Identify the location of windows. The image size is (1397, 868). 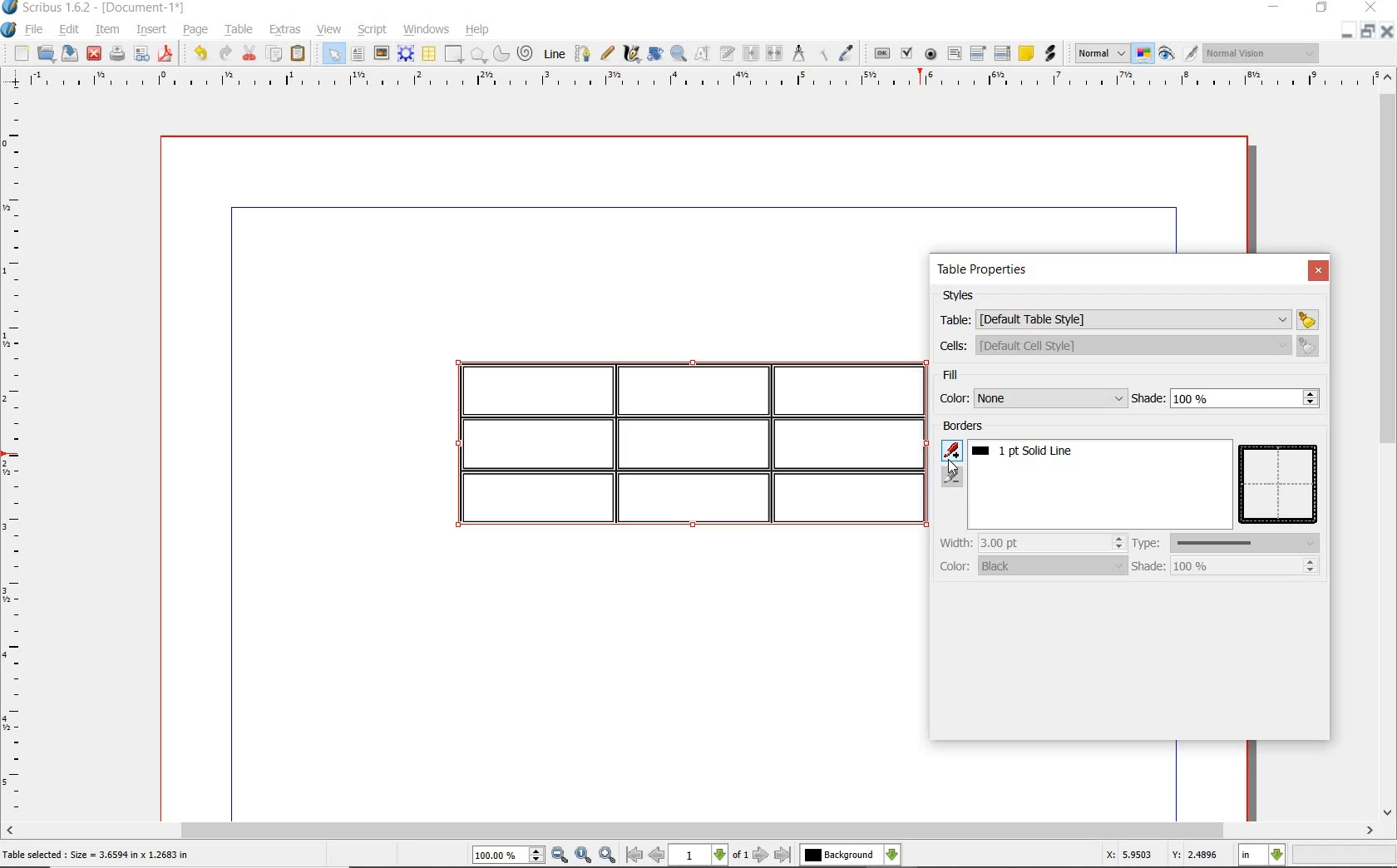
(427, 29).